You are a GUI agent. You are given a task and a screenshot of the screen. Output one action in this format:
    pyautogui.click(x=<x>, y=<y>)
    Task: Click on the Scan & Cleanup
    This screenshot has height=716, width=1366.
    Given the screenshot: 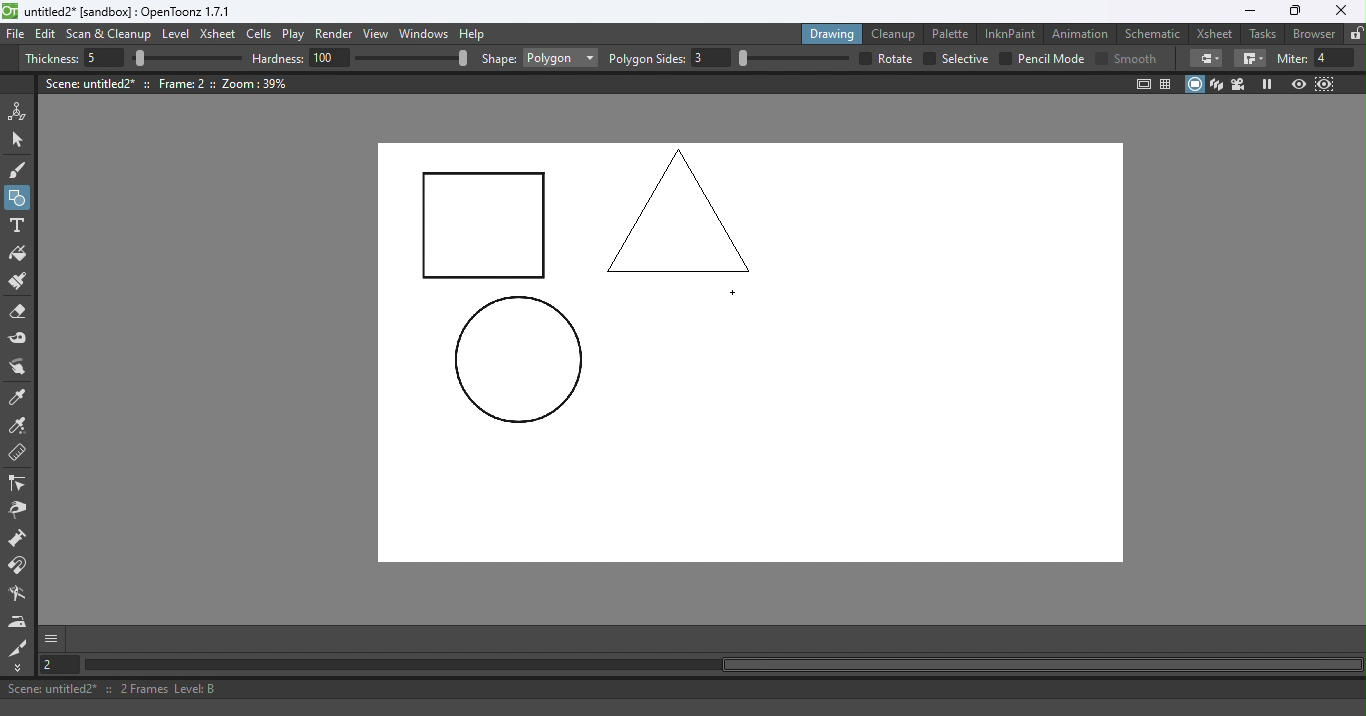 What is the action you would take?
    pyautogui.click(x=109, y=36)
    